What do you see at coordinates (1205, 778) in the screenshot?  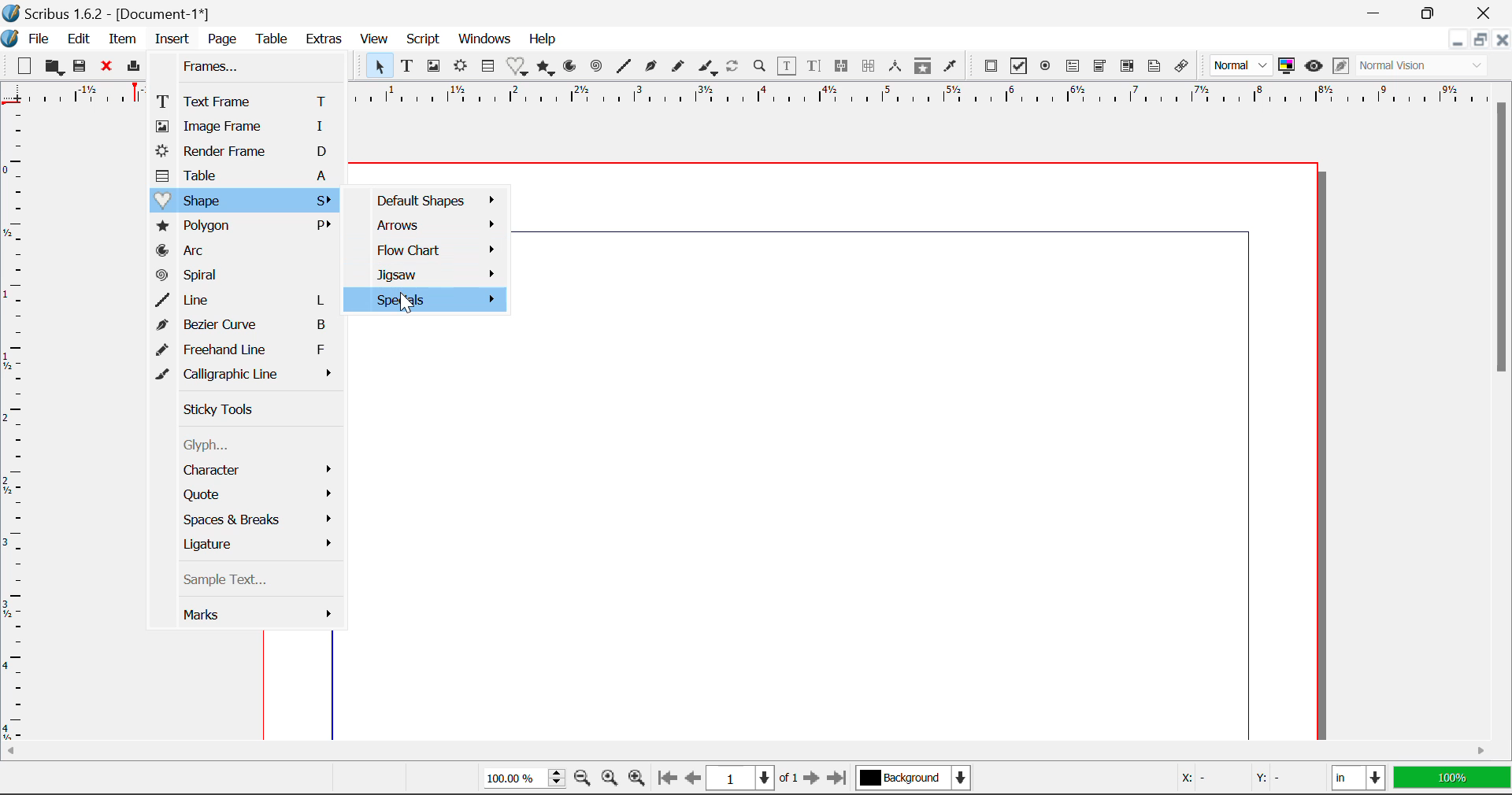 I see `X: -` at bounding box center [1205, 778].